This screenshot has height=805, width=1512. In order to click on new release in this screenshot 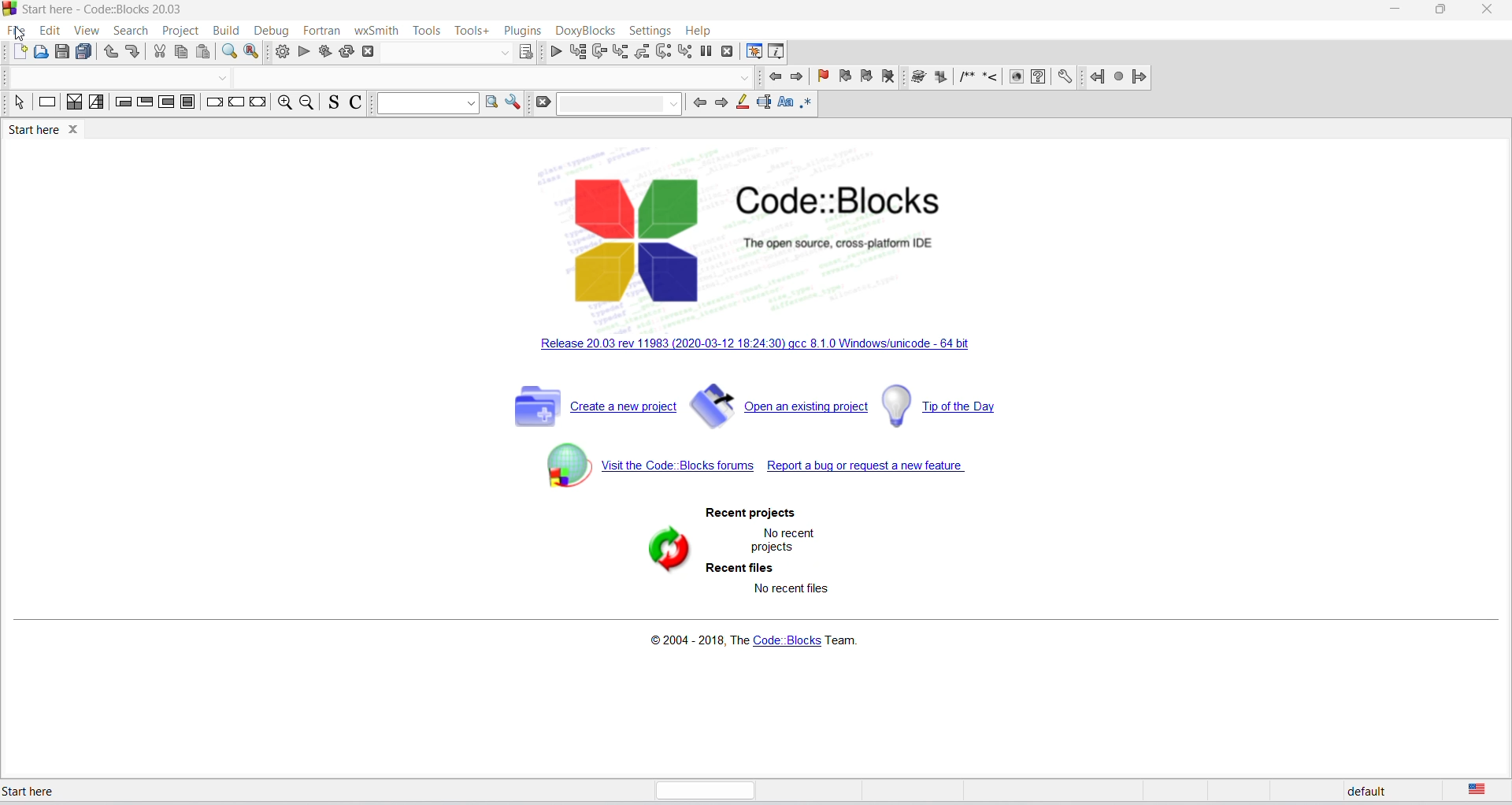, I will do `click(772, 348)`.